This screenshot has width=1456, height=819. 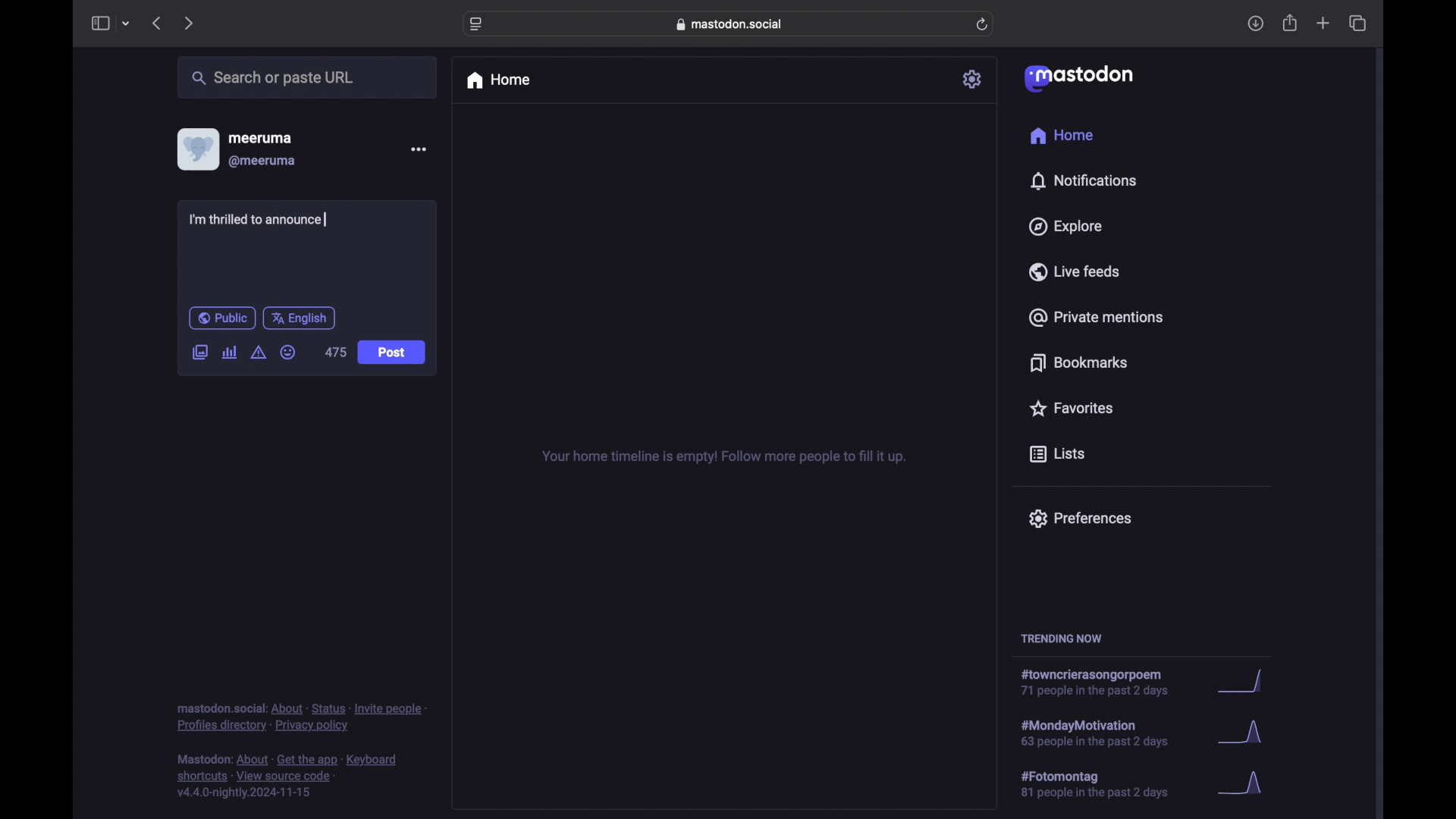 What do you see at coordinates (1100, 682) in the screenshot?
I see `hashtag trend` at bounding box center [1100, 682].